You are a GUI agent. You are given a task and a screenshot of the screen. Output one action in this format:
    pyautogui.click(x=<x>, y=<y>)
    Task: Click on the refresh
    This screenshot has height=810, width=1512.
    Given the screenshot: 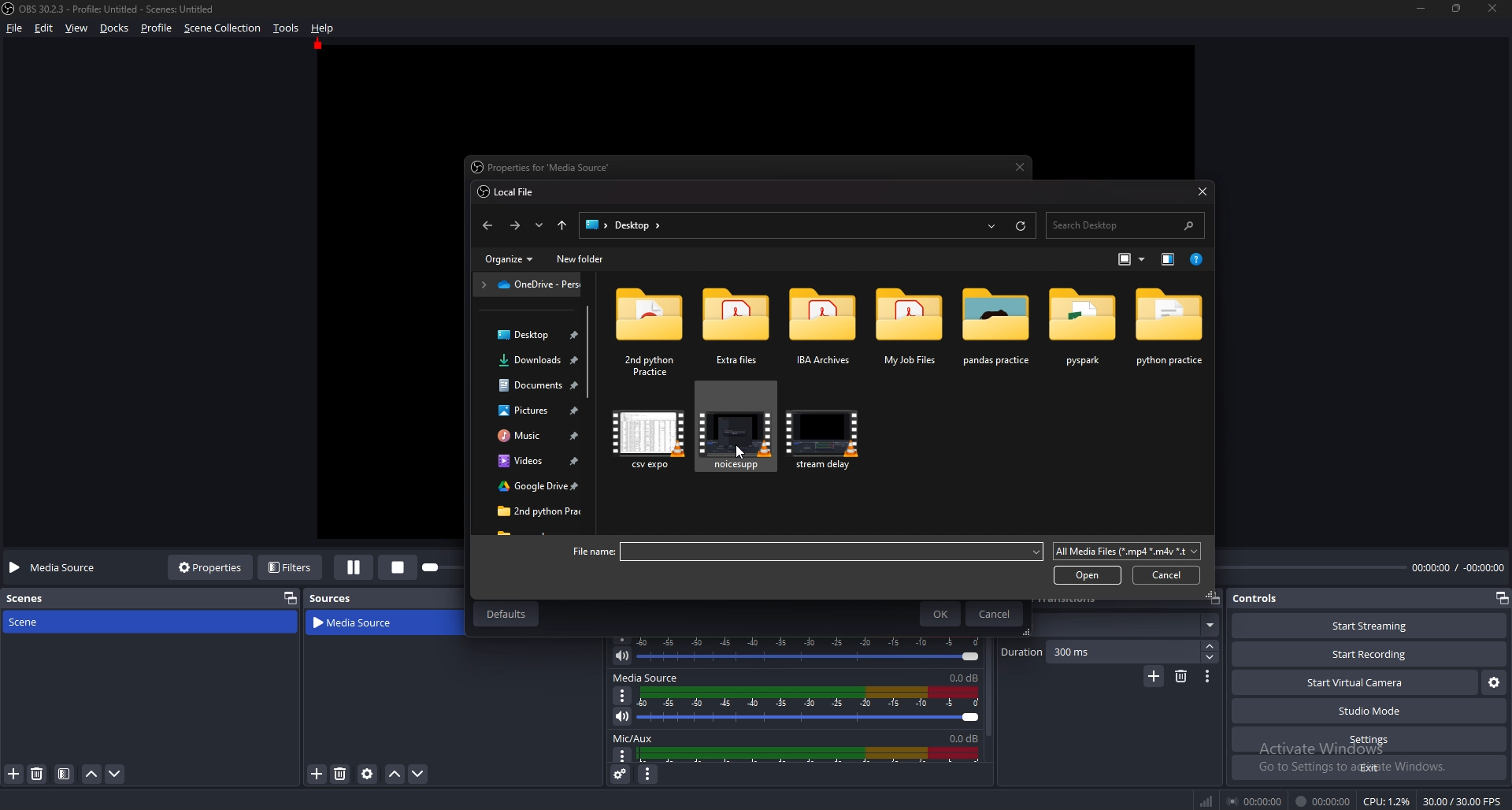 What is the action you would take?
    pyautogui.click(x=1021, y=225)
    